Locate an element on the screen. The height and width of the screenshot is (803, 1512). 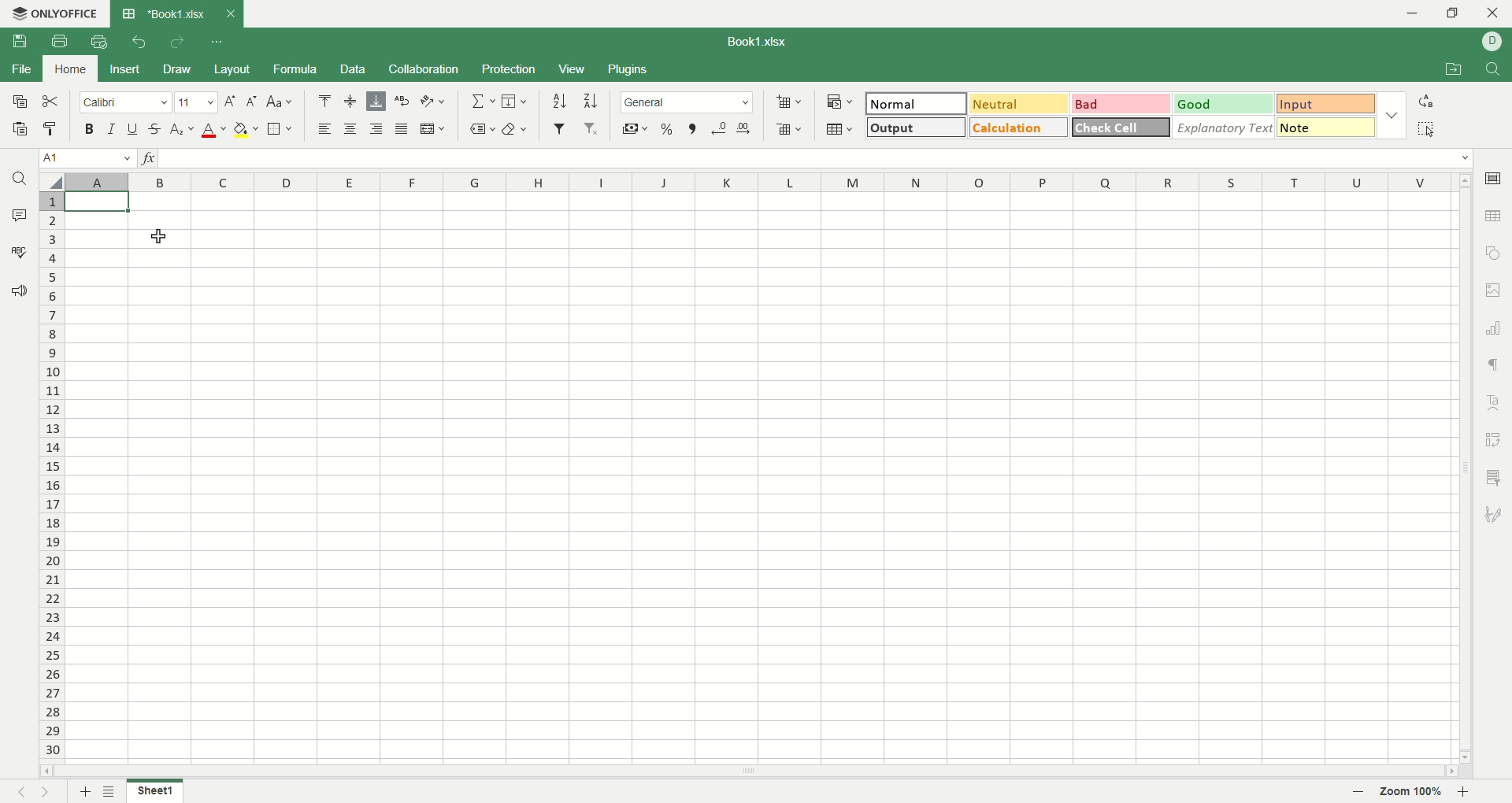
border is located at coordinates (282, 129).